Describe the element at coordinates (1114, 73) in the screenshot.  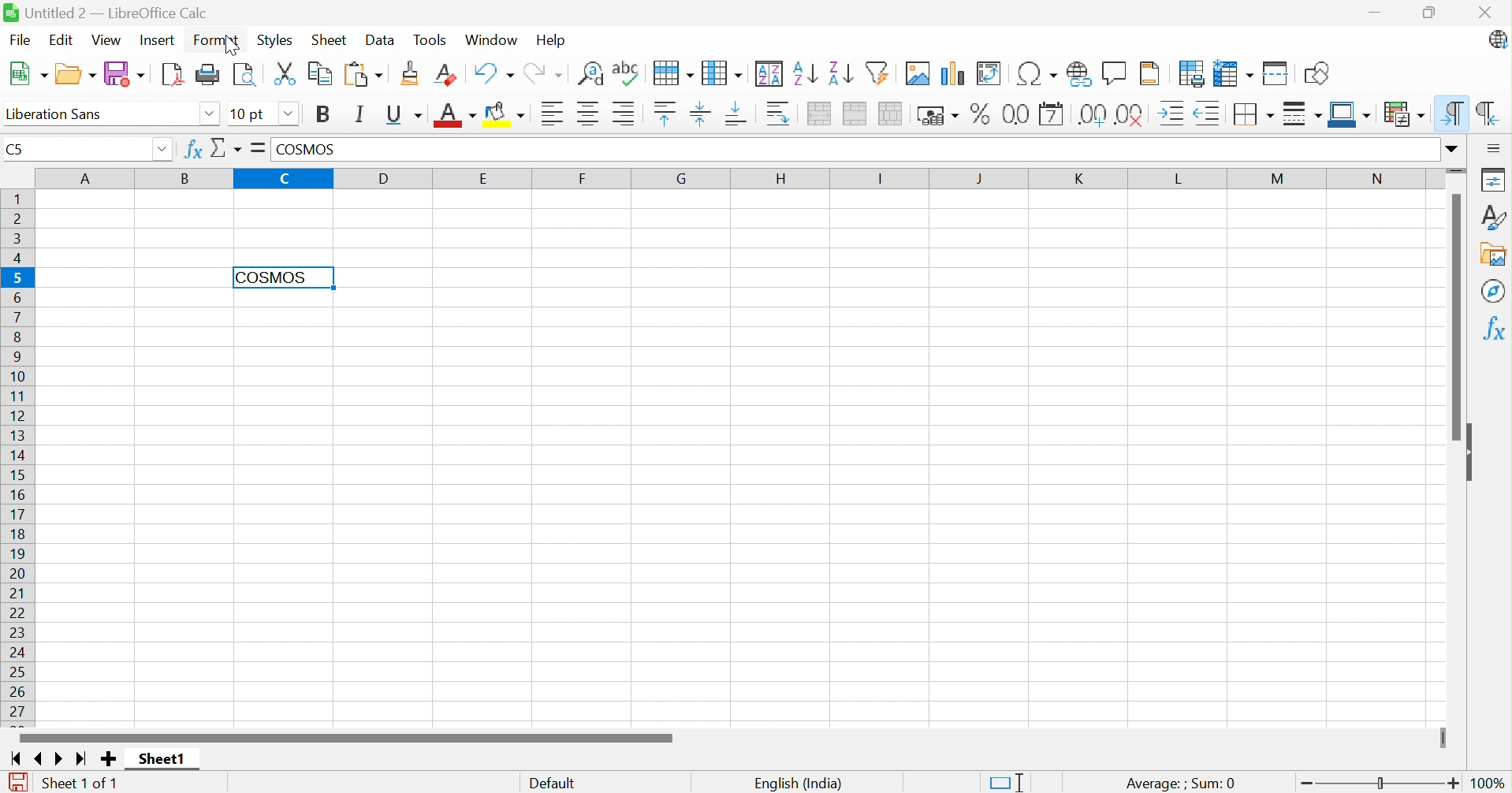
I see `Insert Comment` at that location.